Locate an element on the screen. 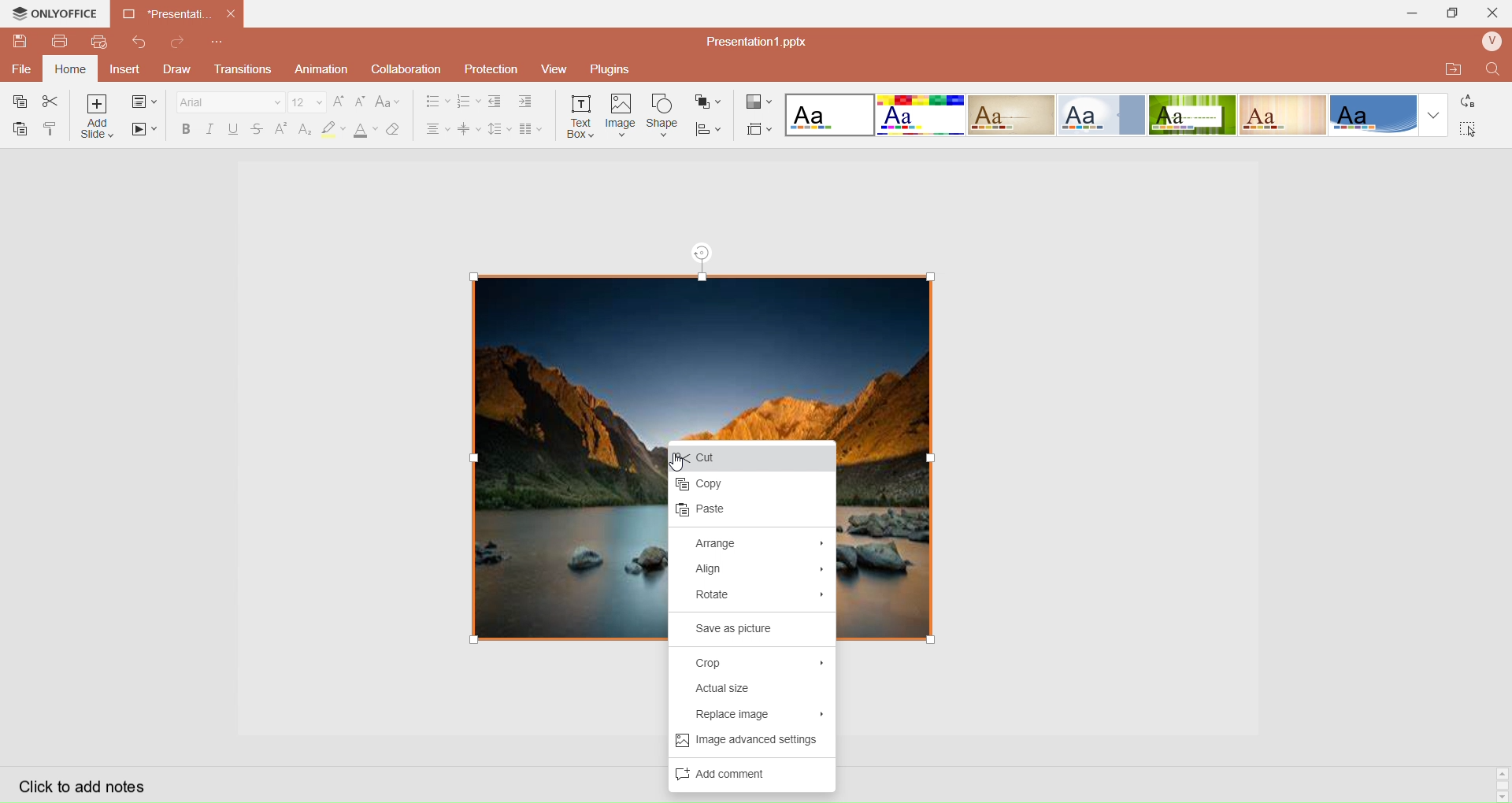  Insert Text Box is located at coordinates (577, 116).